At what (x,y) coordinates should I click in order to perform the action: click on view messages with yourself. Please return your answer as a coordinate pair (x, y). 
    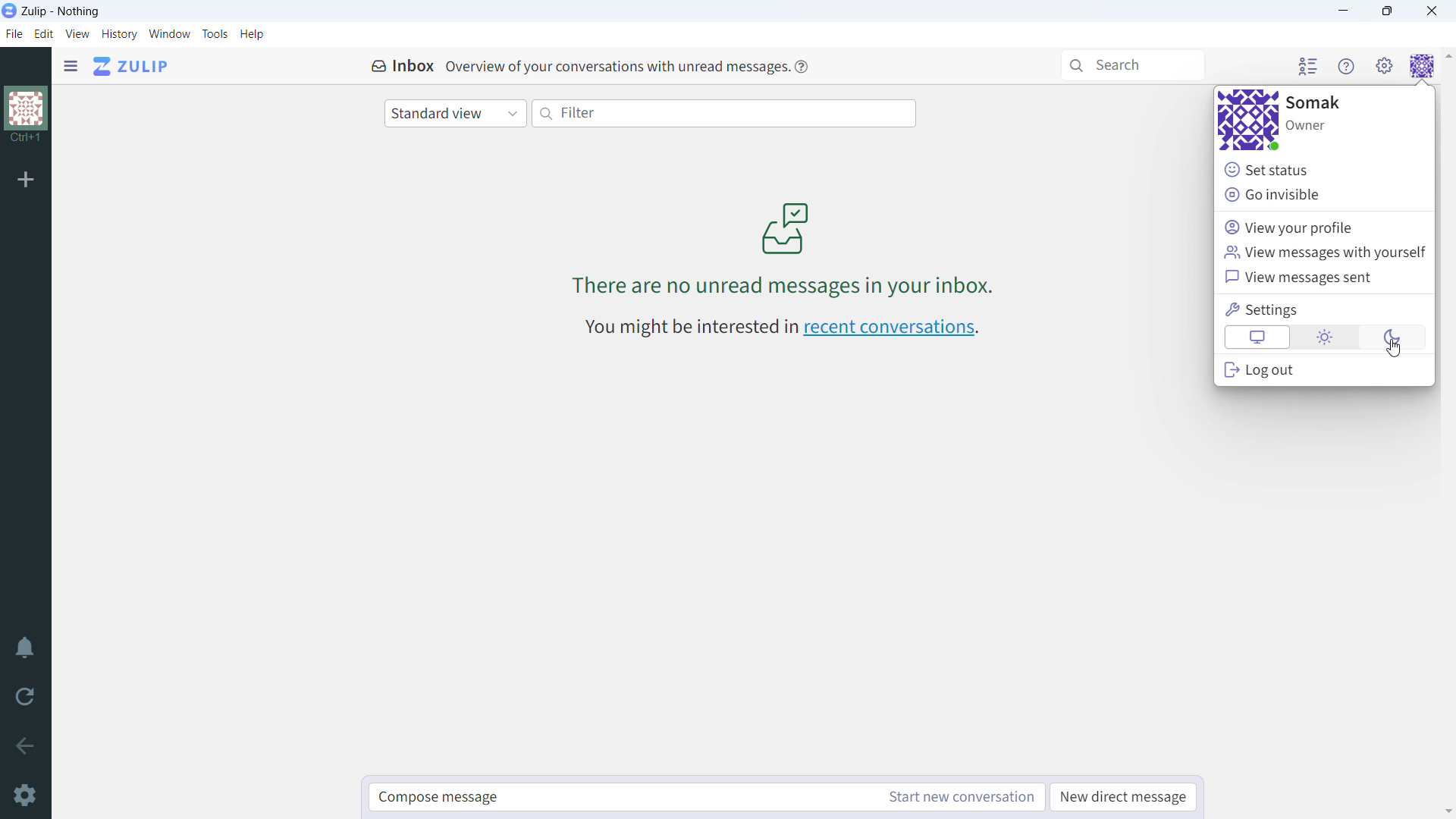
    Looking at the image, I should click on (1326, 253).